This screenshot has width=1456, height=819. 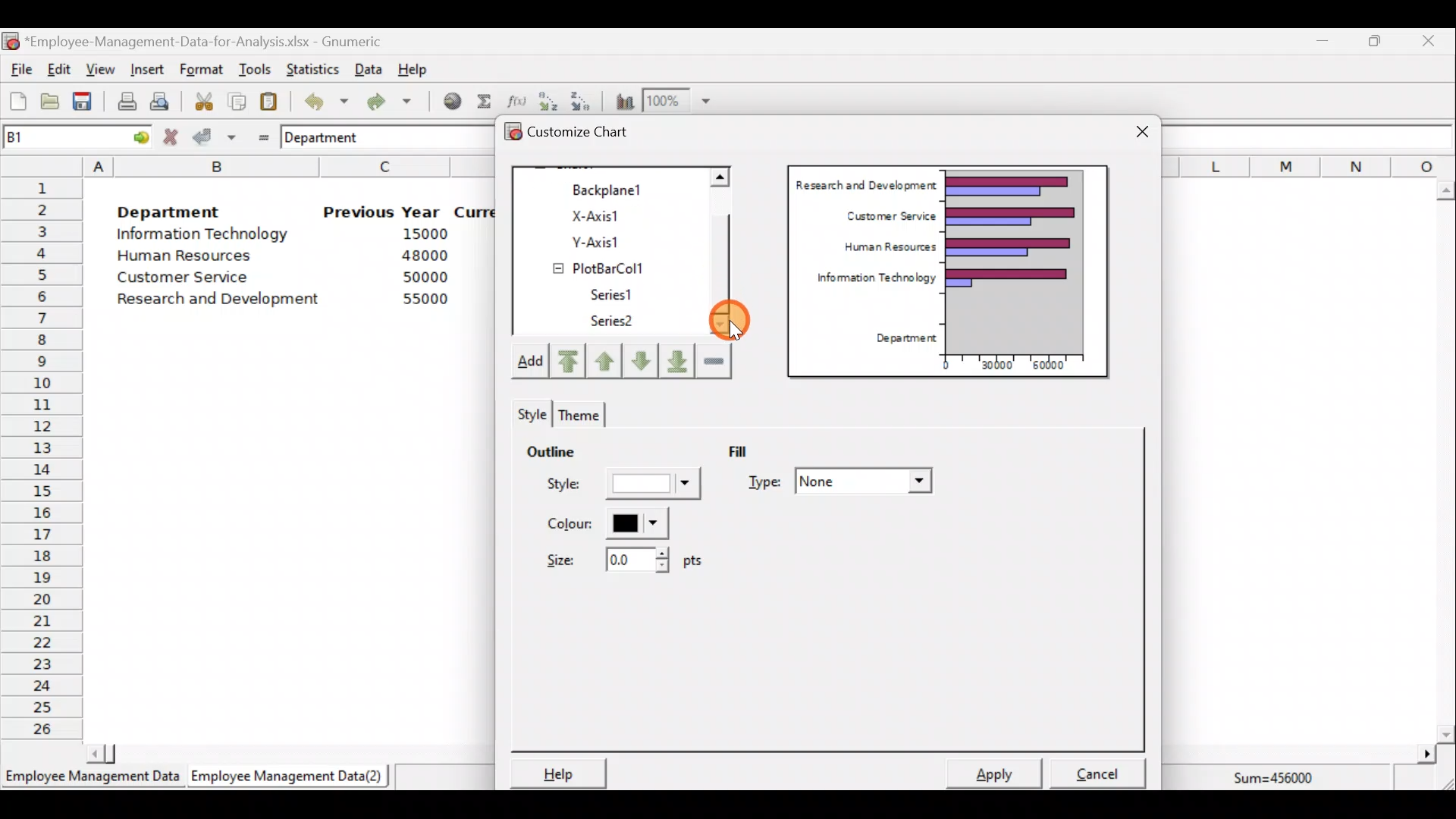 What do you see at coordinates (215, 136) in the screenshot?
I see `Accept change` at bounding box center [215, 136].